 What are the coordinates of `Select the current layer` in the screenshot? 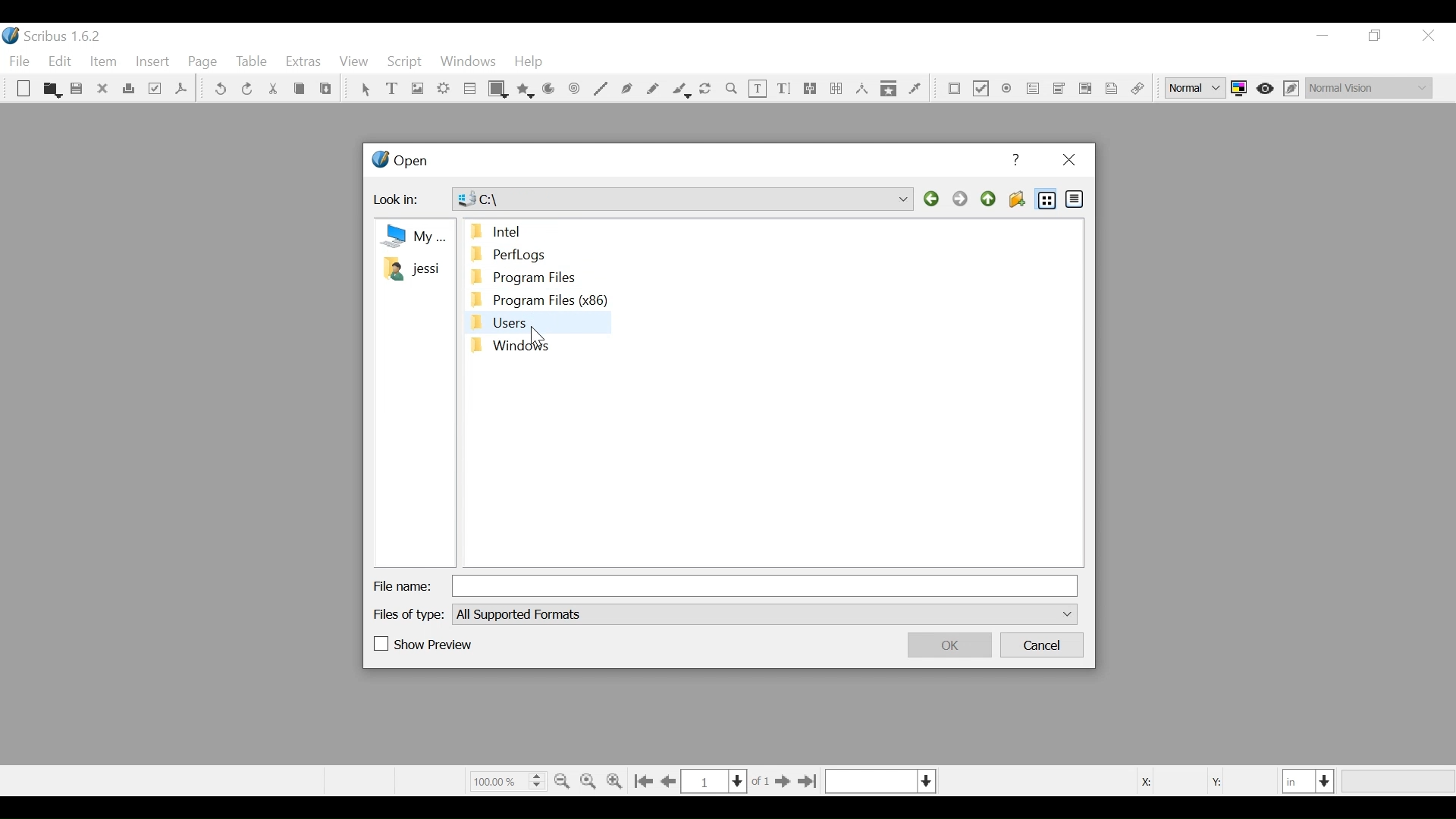 It's located at (880, 781).